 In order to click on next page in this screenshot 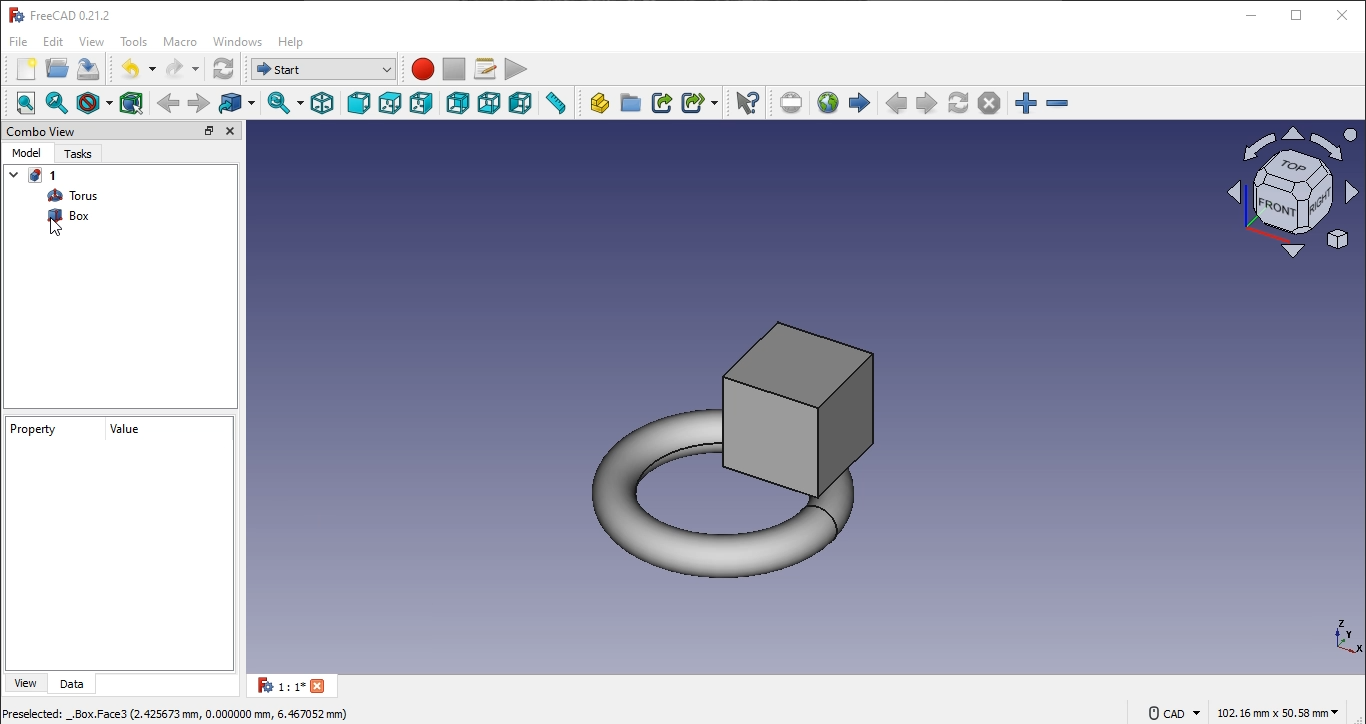, I will do `click(927, 103)`.